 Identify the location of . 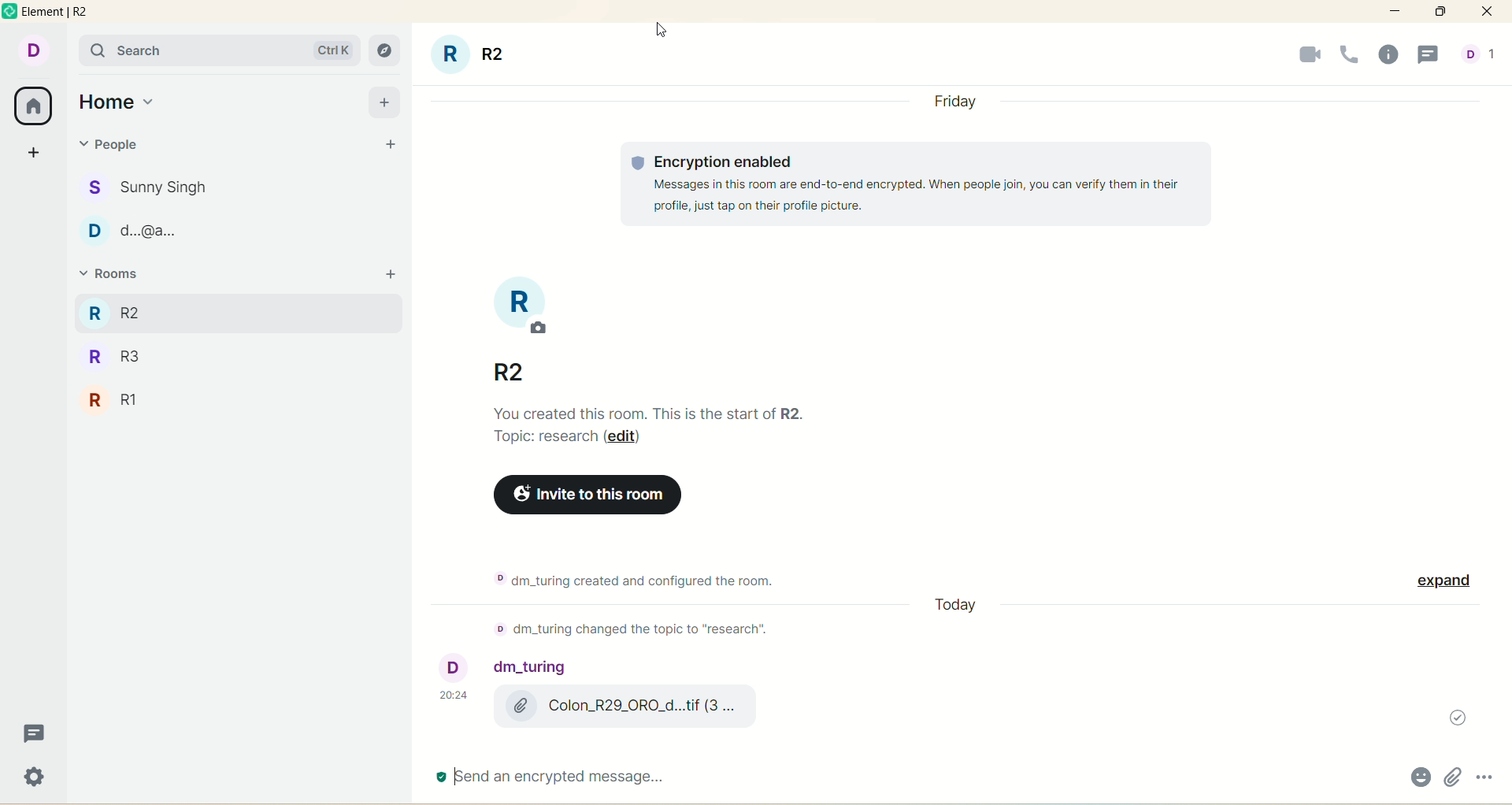
(1449, 586).